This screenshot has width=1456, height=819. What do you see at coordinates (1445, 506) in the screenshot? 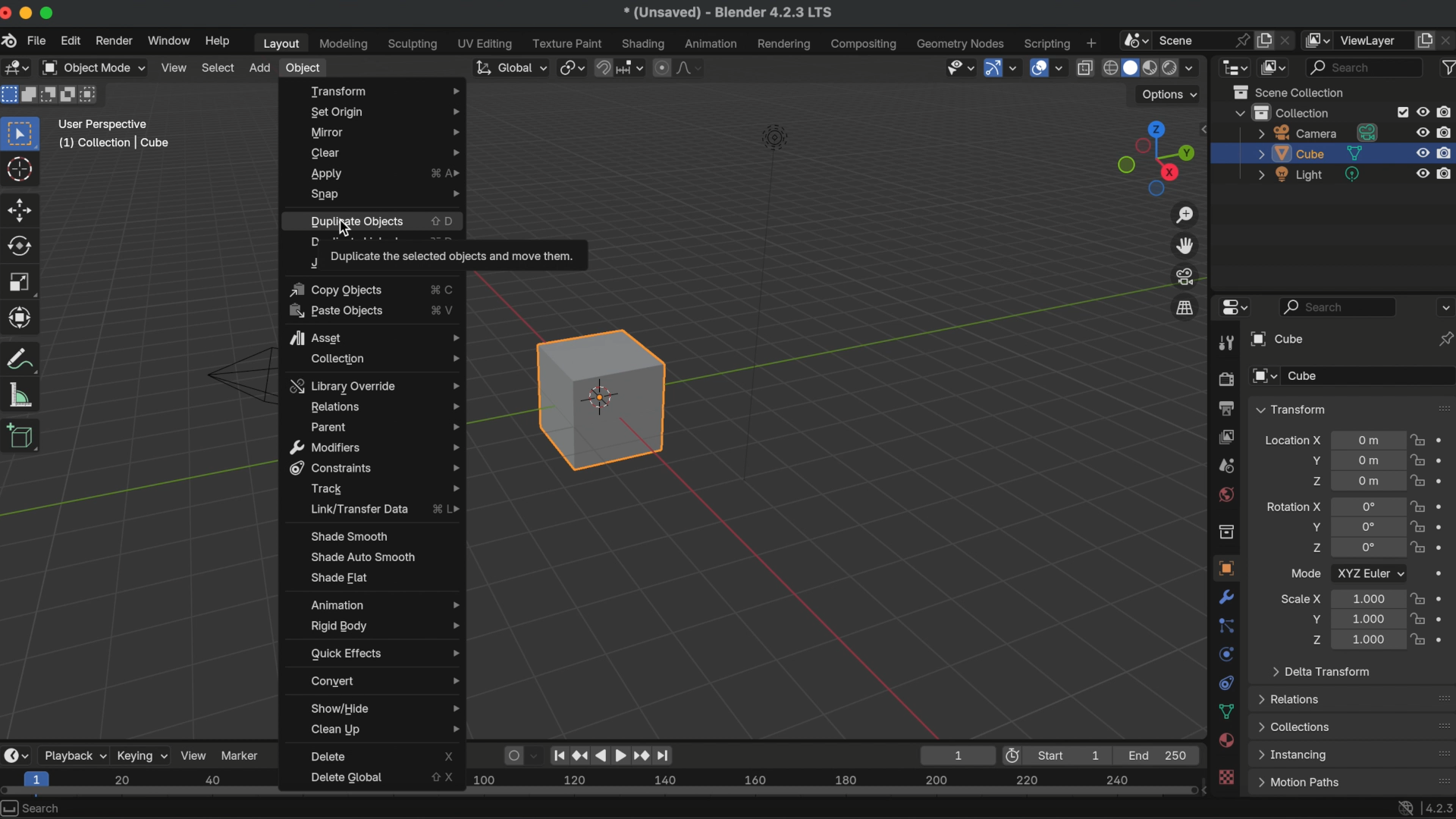
I see `animate property` at bounding box center [1445, 506].